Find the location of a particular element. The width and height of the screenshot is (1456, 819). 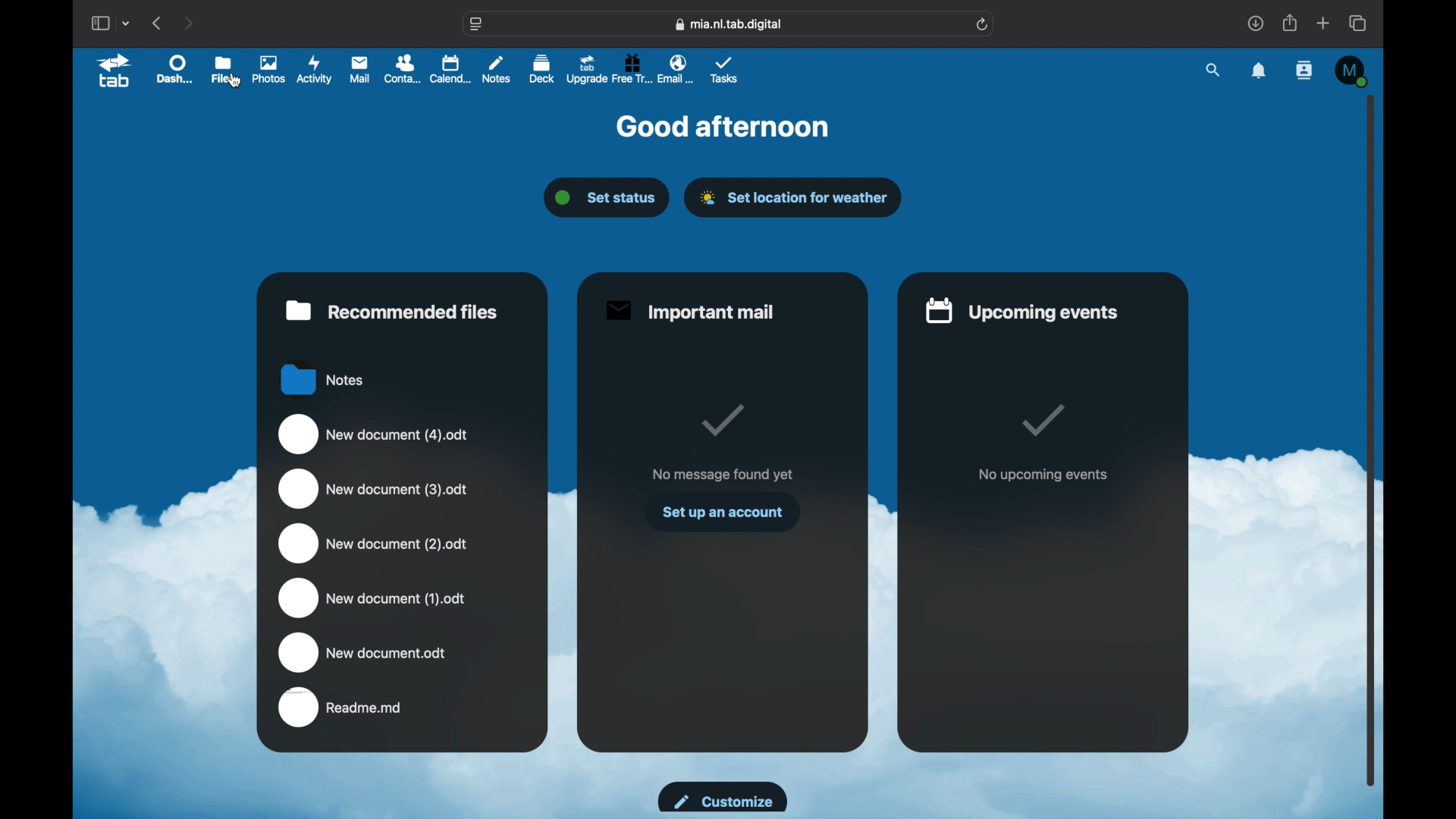

previous is located at coordinates (158, 23).